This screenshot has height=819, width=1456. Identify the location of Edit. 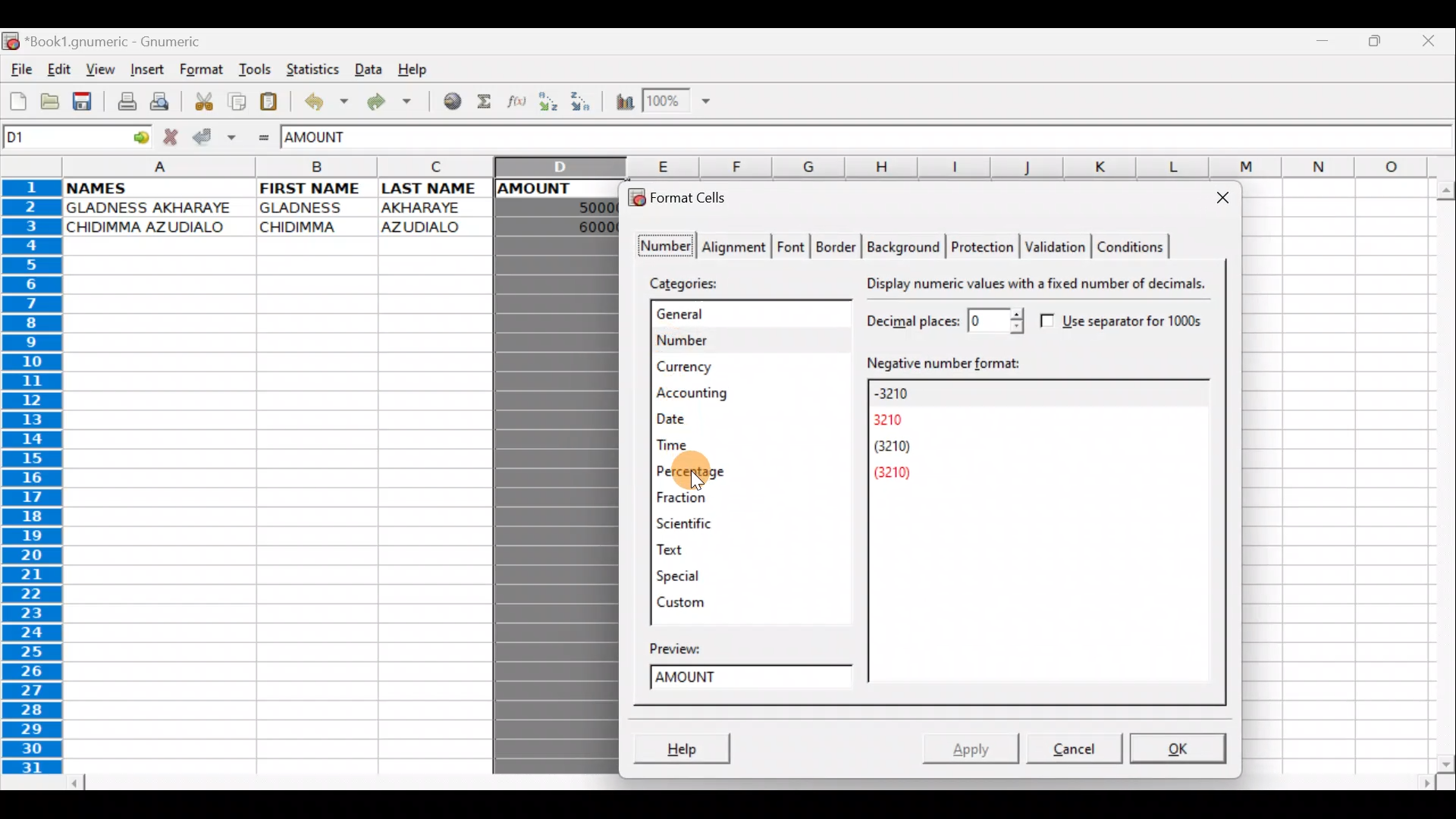
(61, 71).